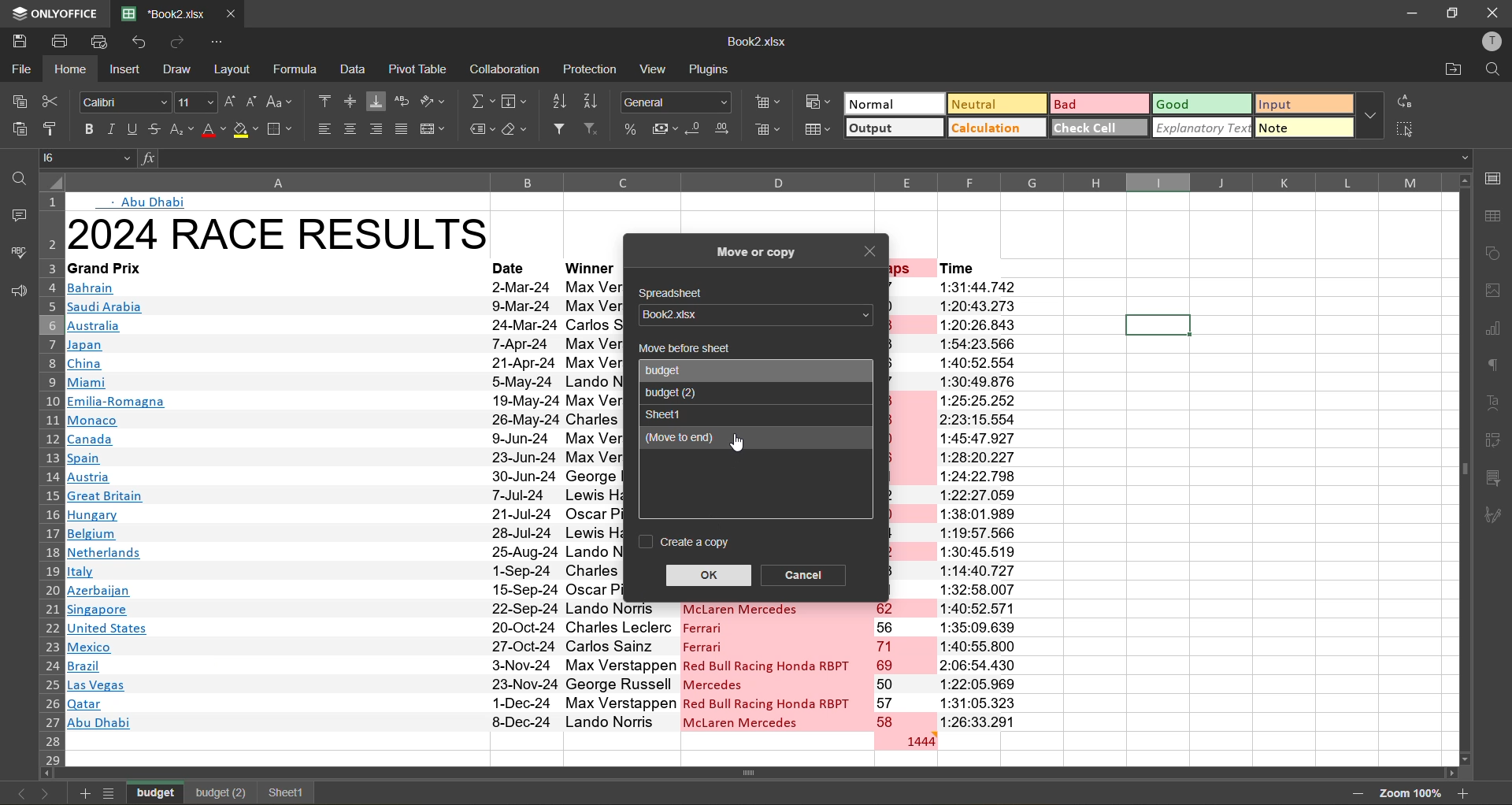 Image resolution: width=1512 pixels, height=805 pixels. I want to click on align middle, so click(349, 103).